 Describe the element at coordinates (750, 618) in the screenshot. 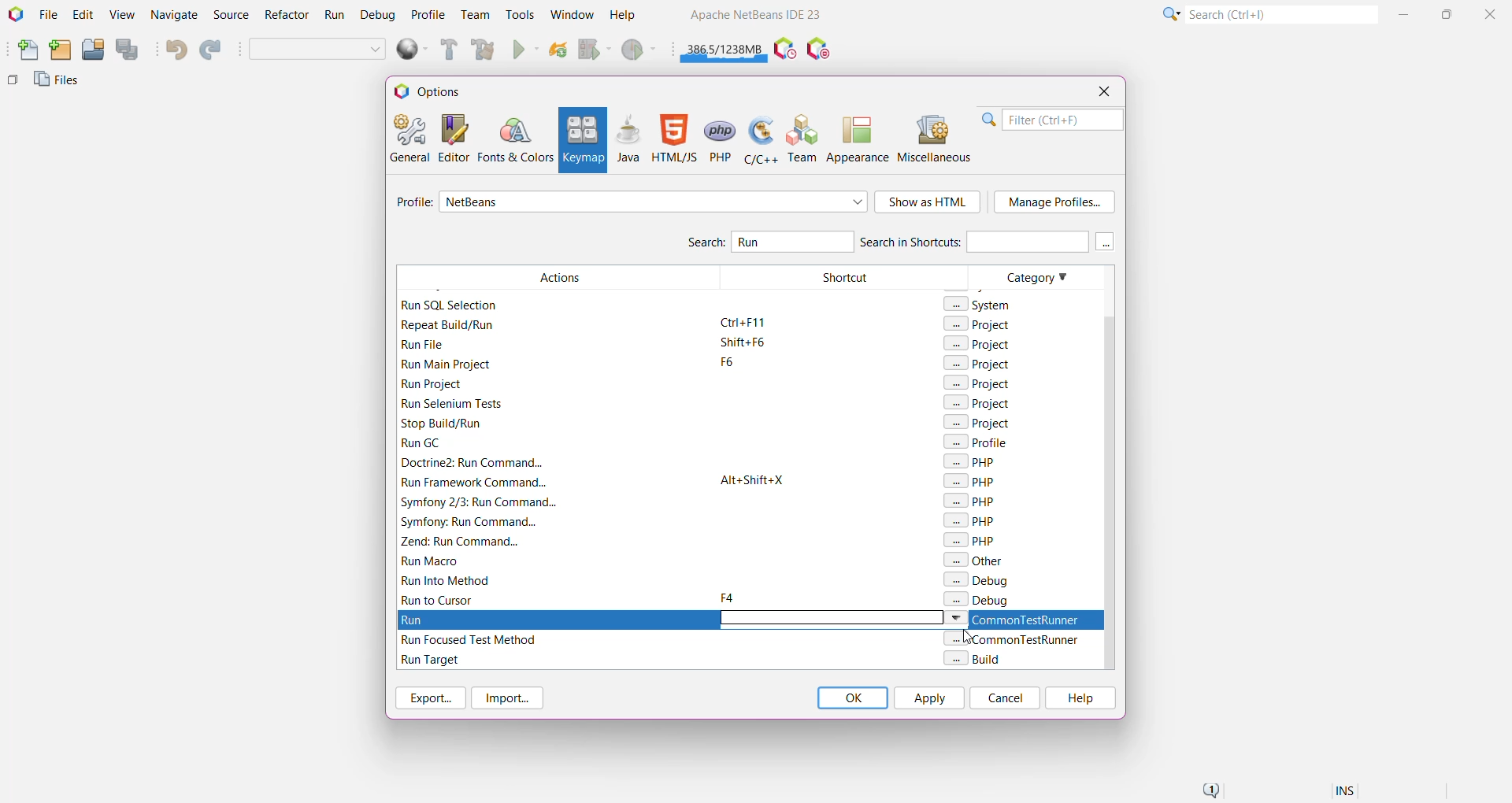

I see `Run Action to set keyboard shortcut` at that location.